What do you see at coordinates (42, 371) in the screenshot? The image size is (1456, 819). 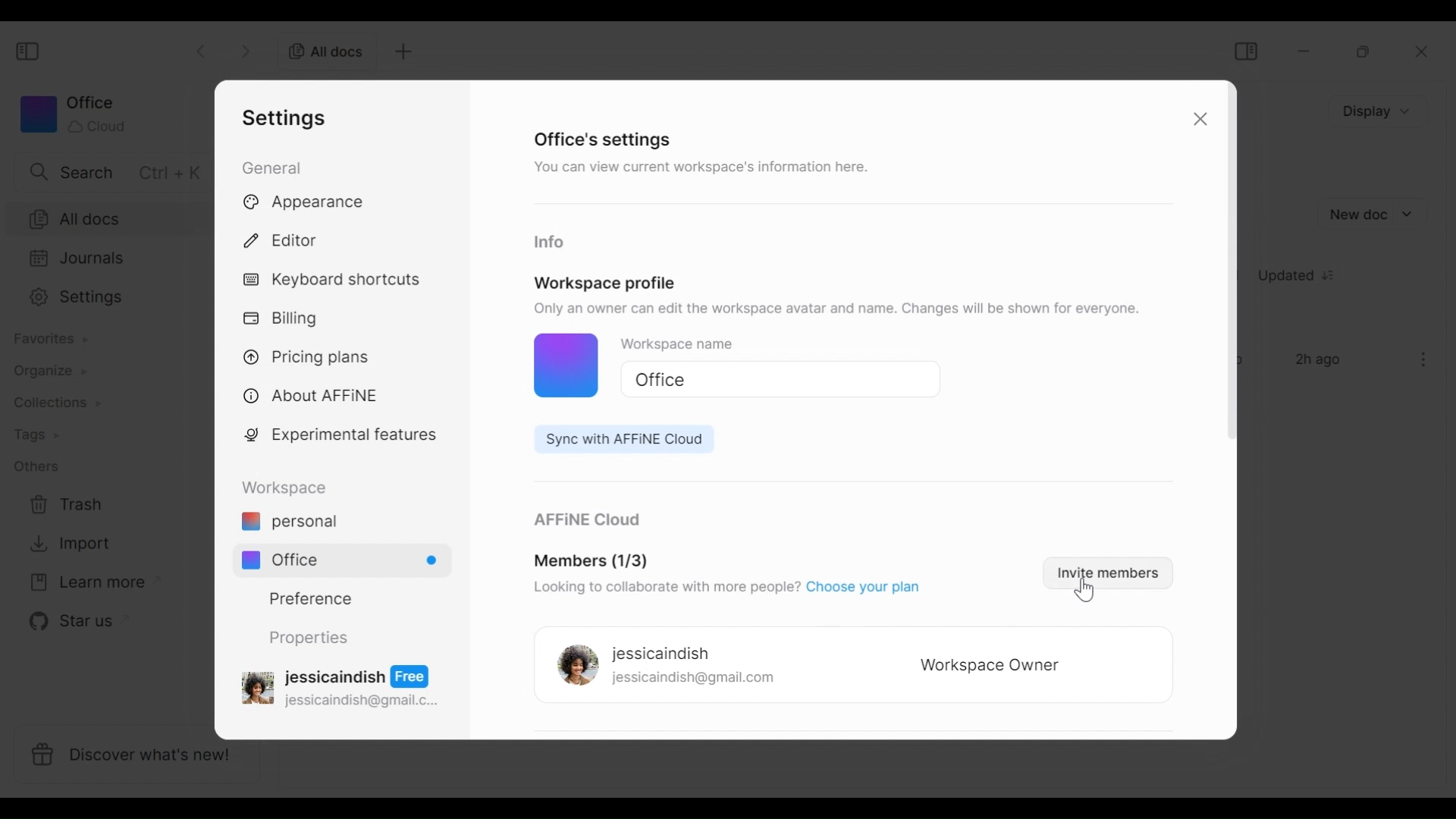 I see `Organize` at bounding box center [42, 371].